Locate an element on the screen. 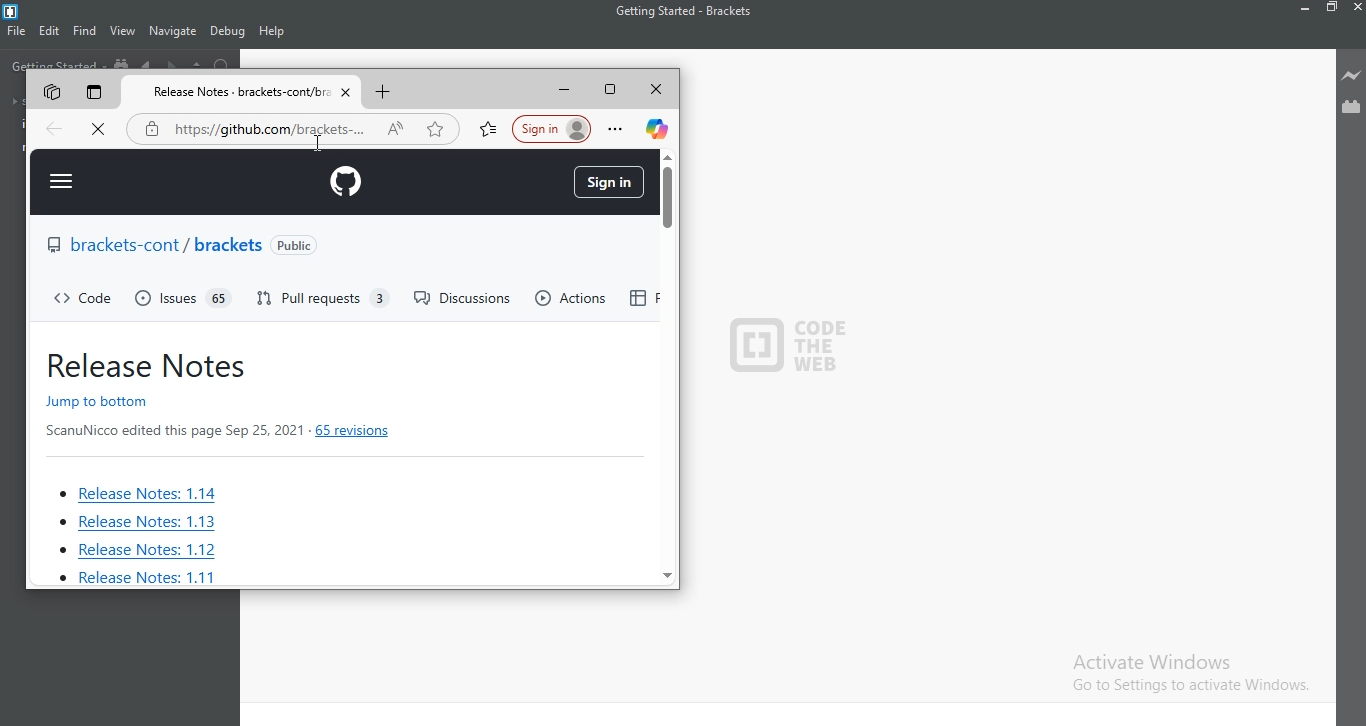 Image resolution: width=1366 pixels, height=726 pixels. previous page is located at coordinates (58, 131).